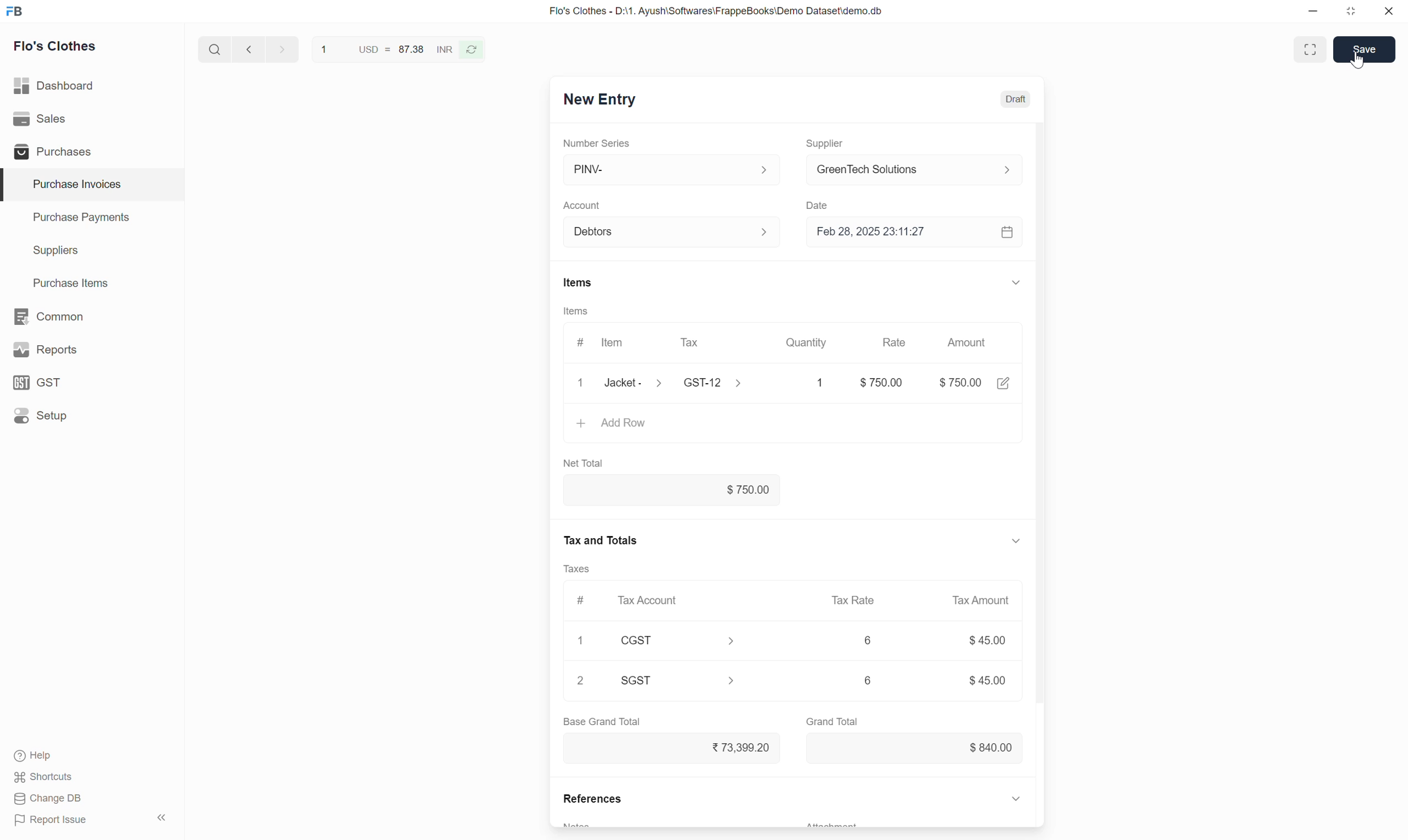  Describe the element at coordinates (384, 49) in the screenshot. I see `1 USD = 87.38 INR` at that location.